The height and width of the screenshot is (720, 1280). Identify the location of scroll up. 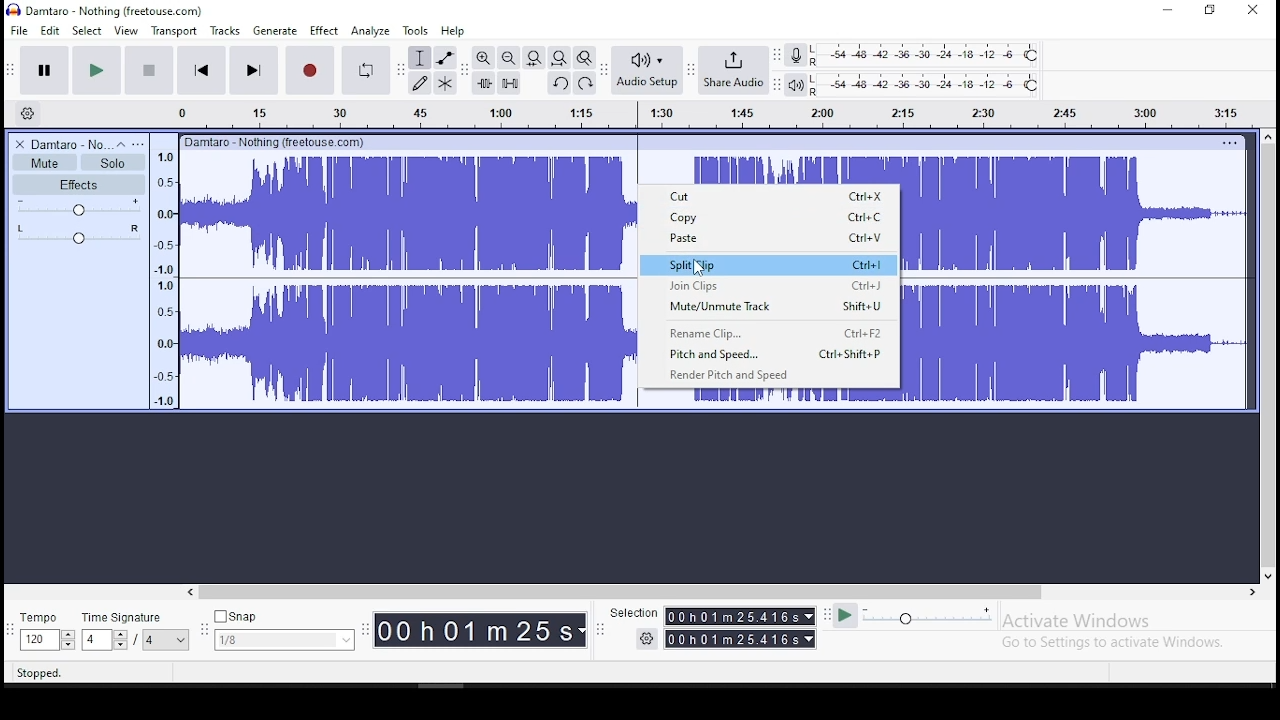
(1269, 137).